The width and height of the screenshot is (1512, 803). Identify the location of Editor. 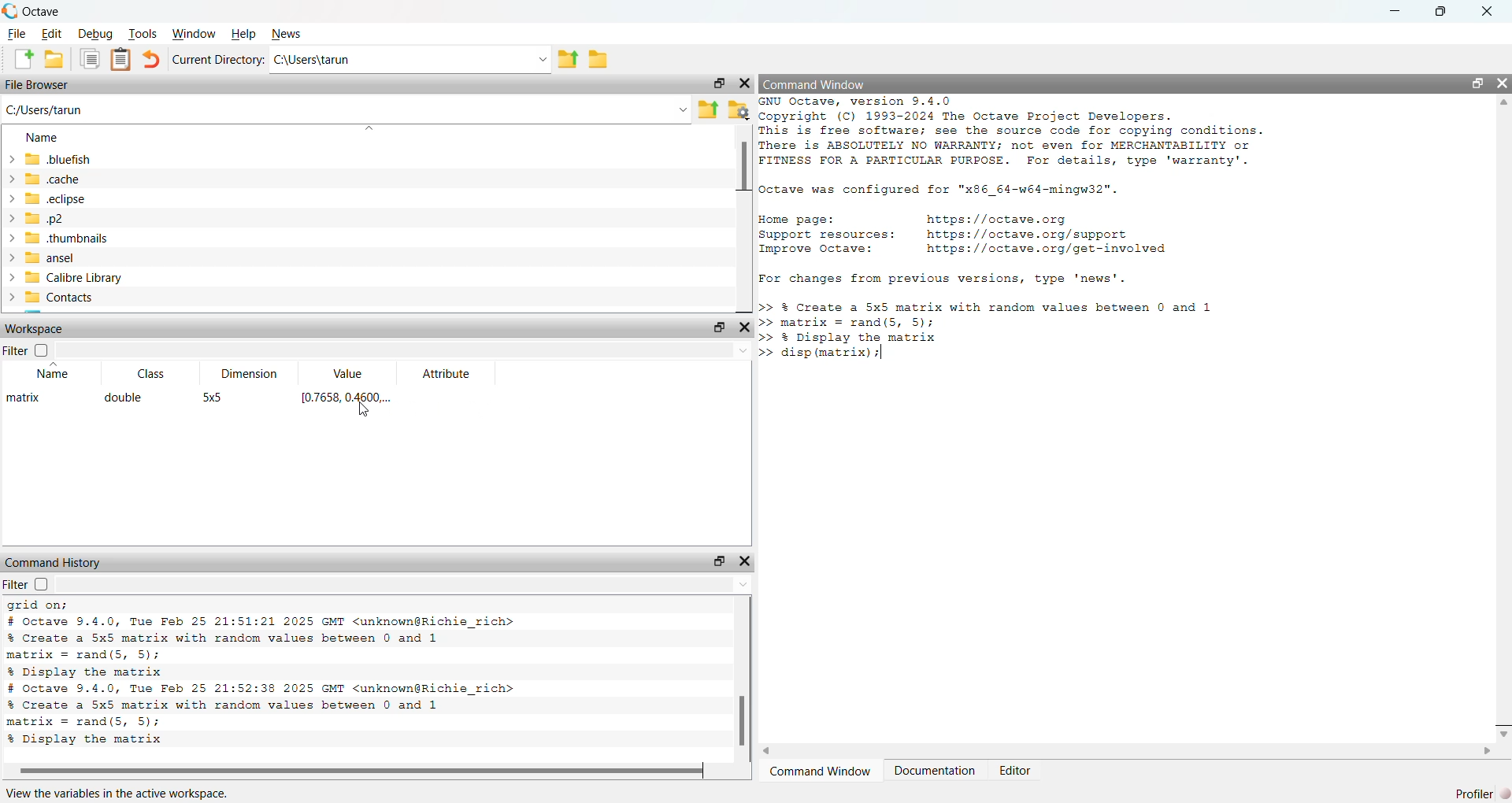
(1015, 770).